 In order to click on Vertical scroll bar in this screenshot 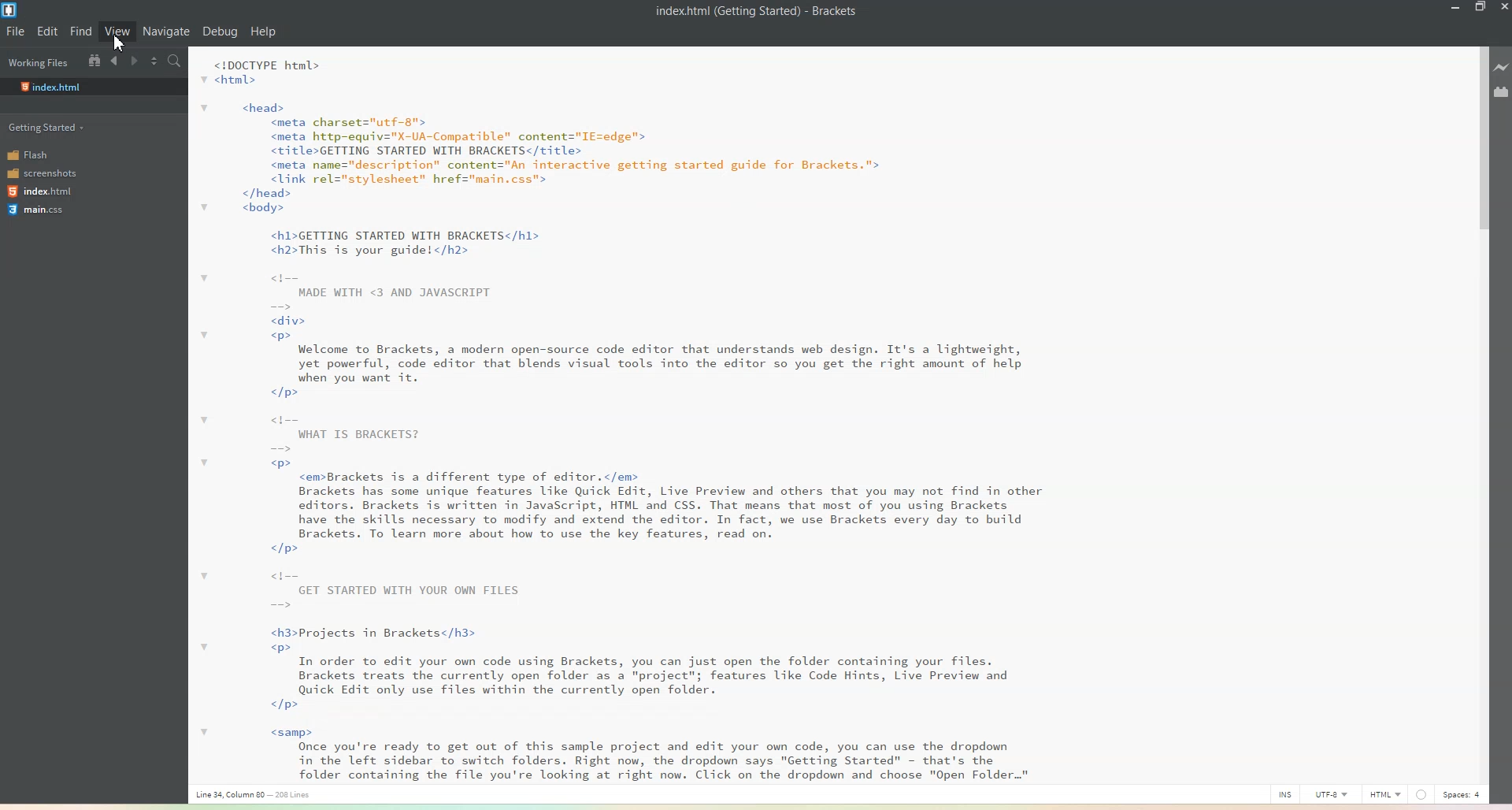, I will do `click(1480, 414)`.